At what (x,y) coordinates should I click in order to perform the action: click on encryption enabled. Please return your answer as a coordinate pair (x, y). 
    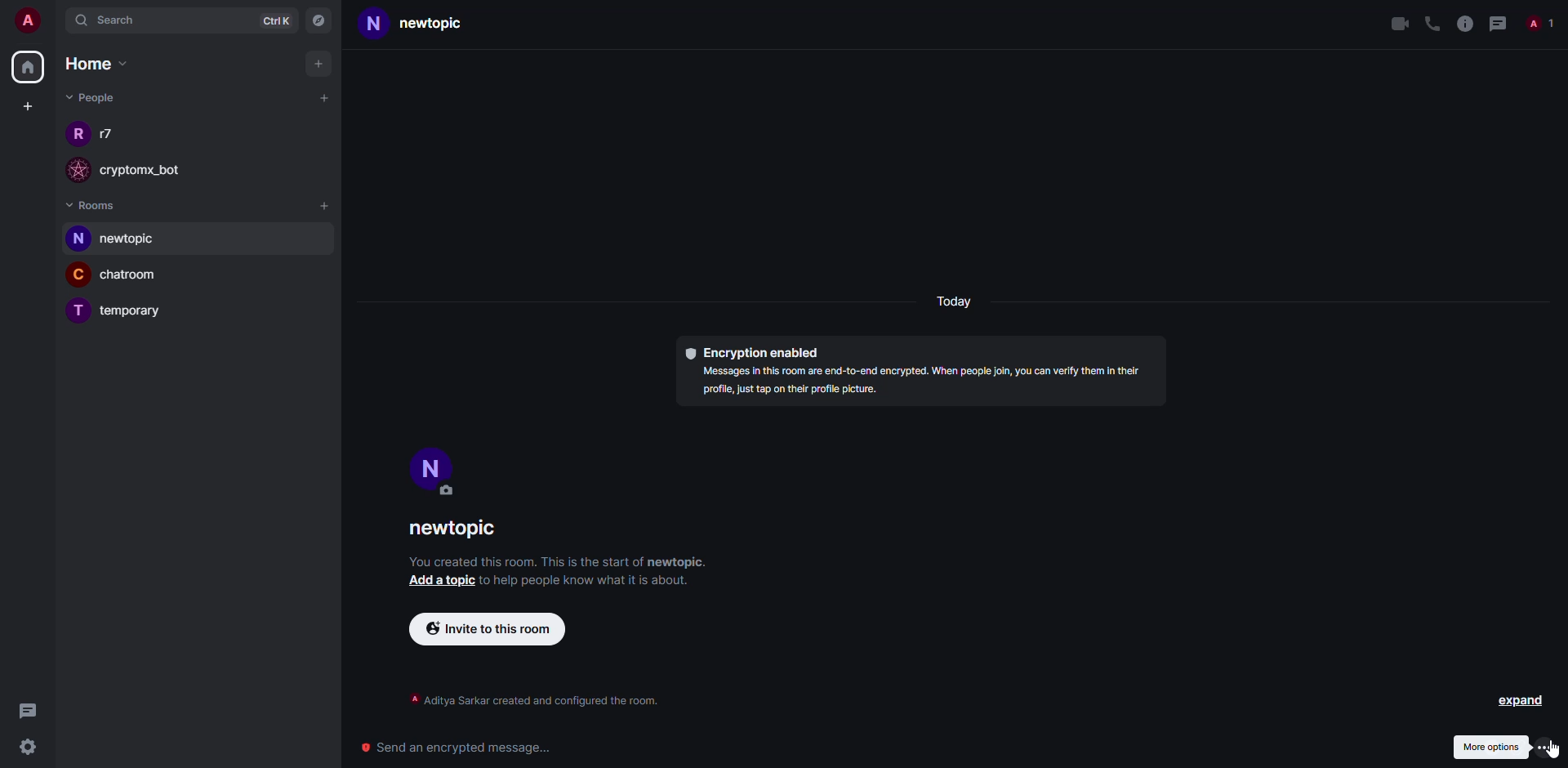
    Looking at the image, I should click on (755, 353).